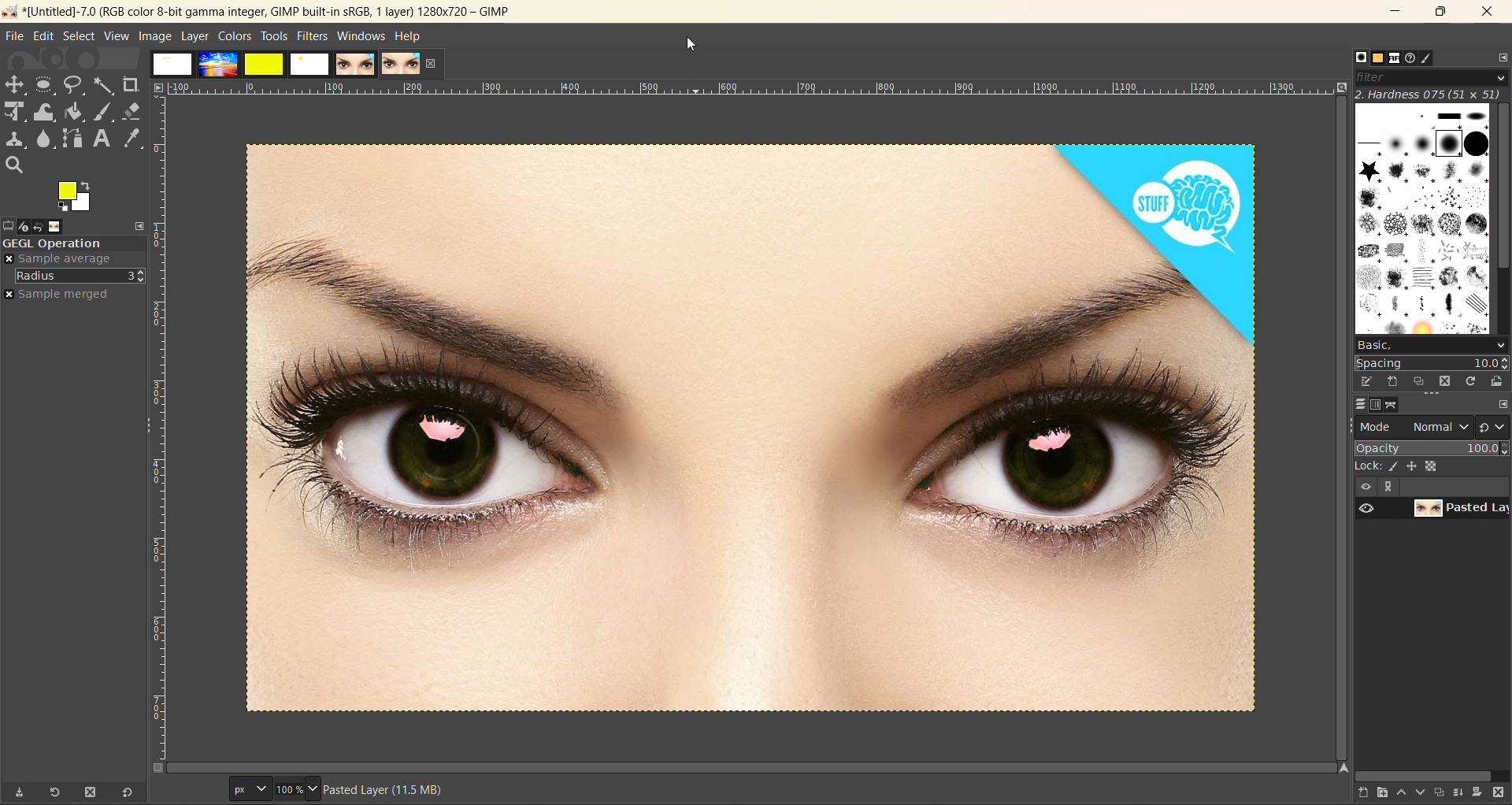 The image size is (1512, 805). What do you see at coordinates (1430, 97) in the screenshot?
I see `hardness` at bounding box center [1430, 97].